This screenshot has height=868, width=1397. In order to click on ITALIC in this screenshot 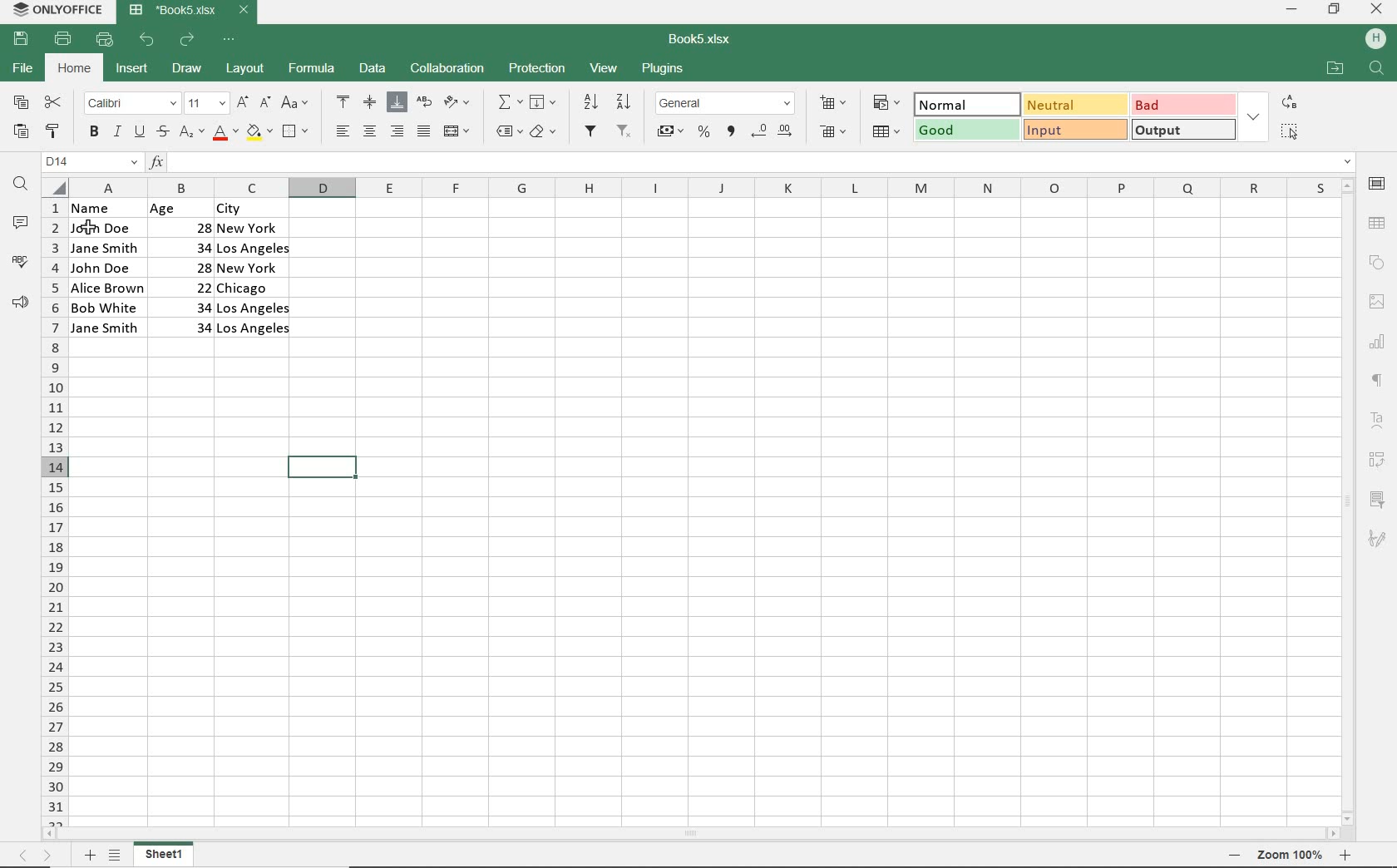, I will do `click(116, 131)`.